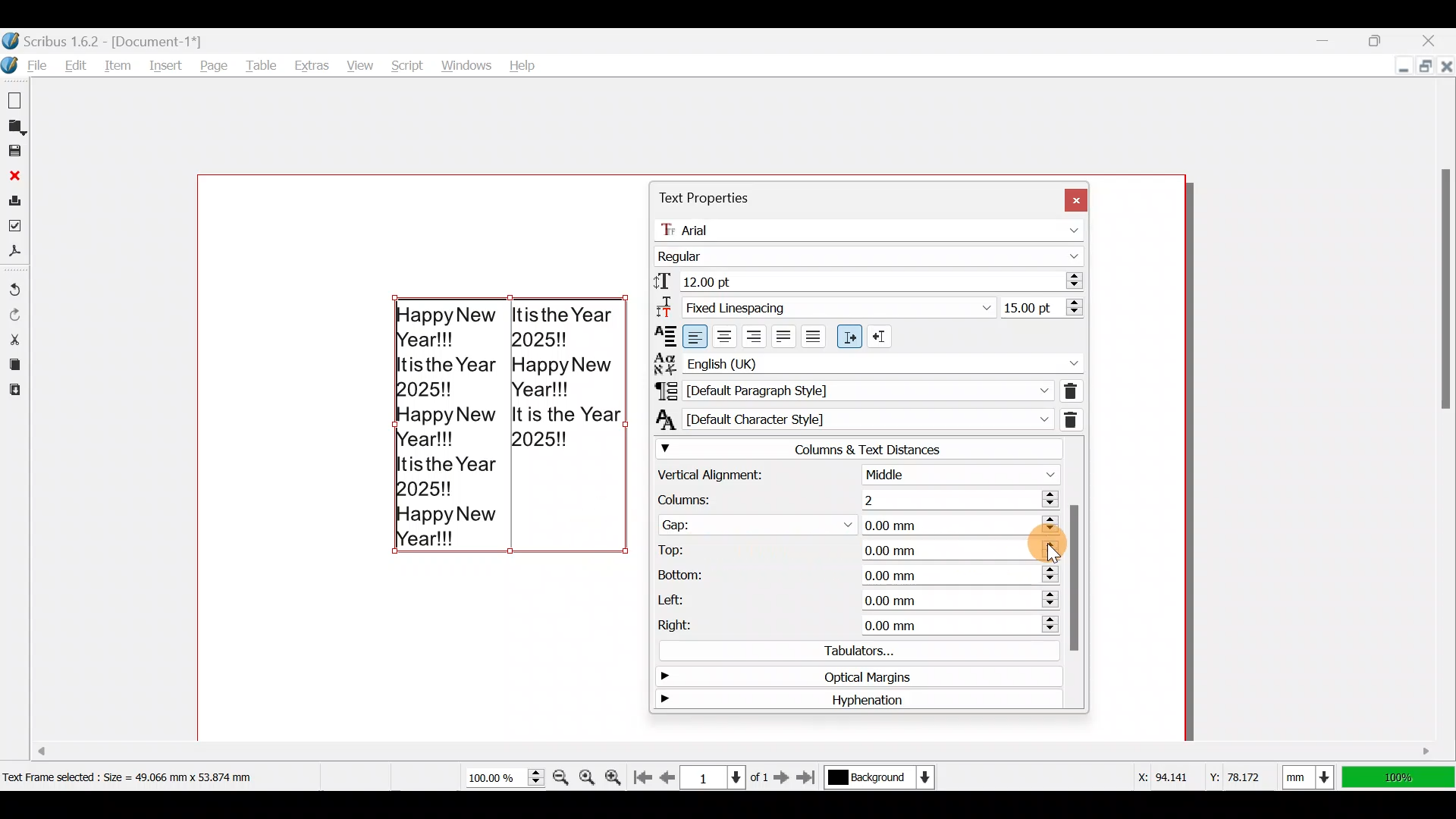 The height and width of the screenshot is (819, 1456). What do you see at coordinates (724, 776) in the screenshot?
I see `Select current page` at bounding box center [724, 776].